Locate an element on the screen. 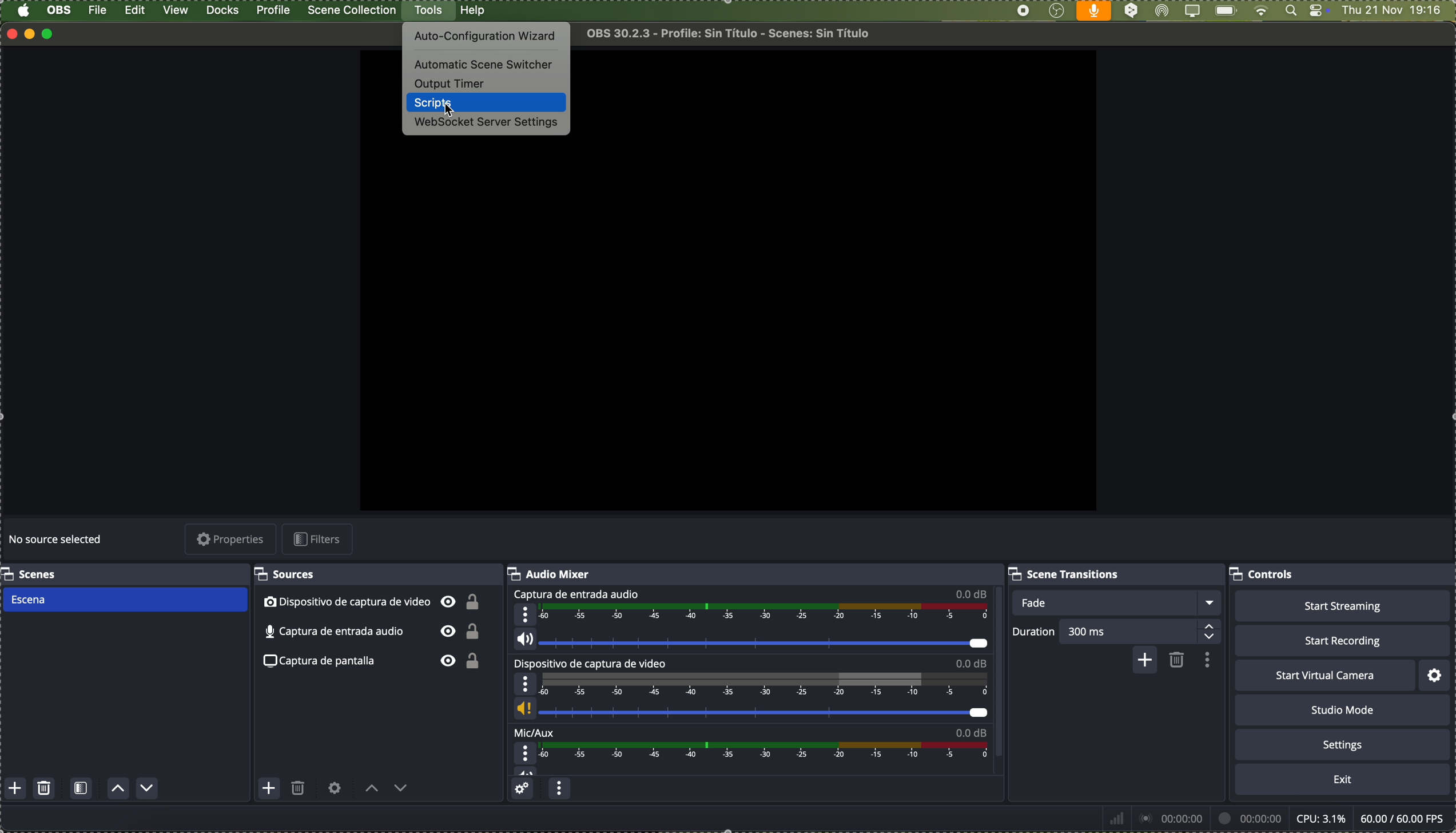  data is located at coordinates (1275, 818).